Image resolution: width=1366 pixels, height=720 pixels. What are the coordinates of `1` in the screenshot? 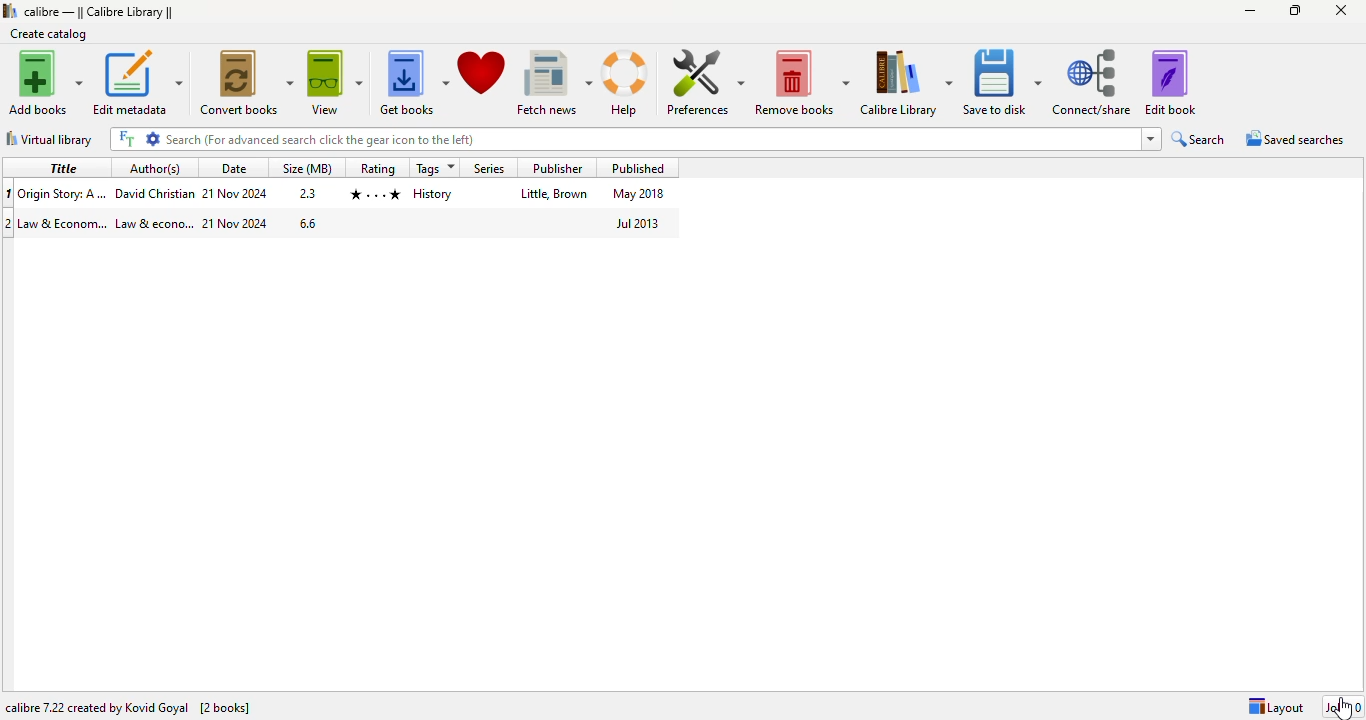 It's located at (9, 194).